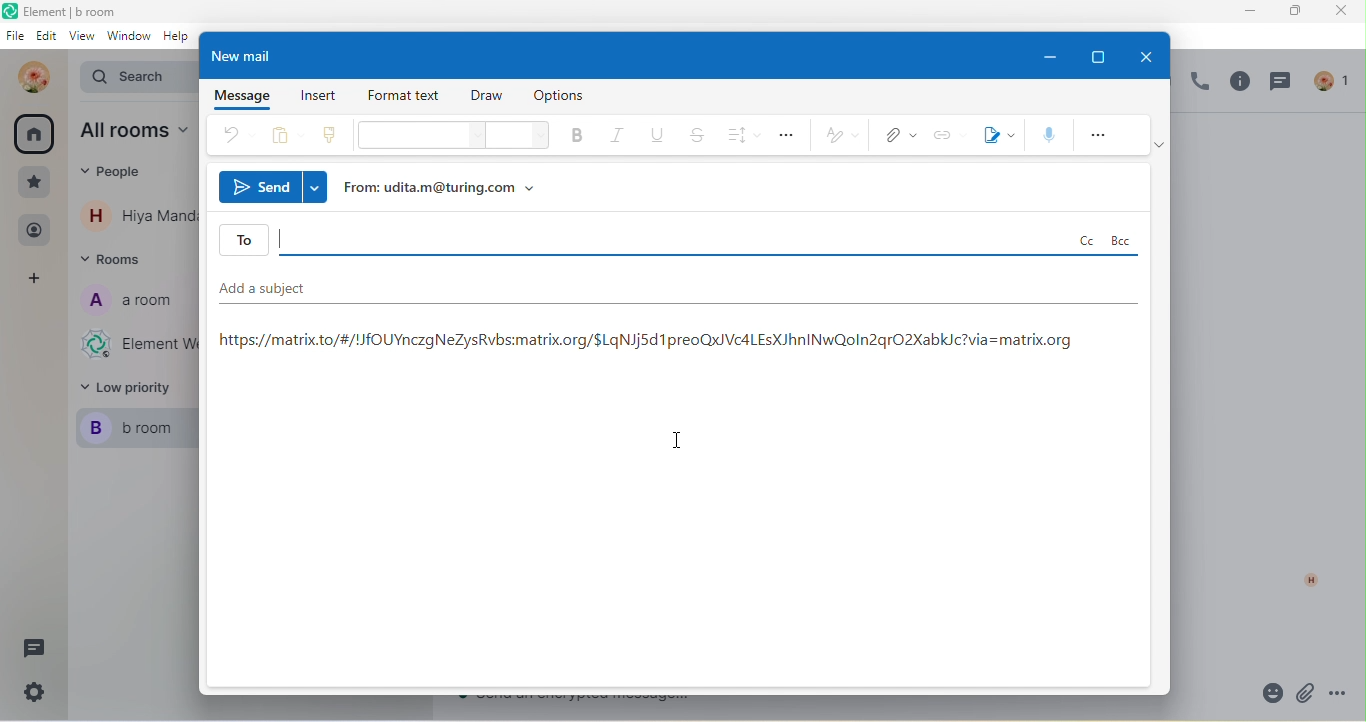 The width and height of the screenshot is (1366, 722). I want to click on info, so click(1238, 85).